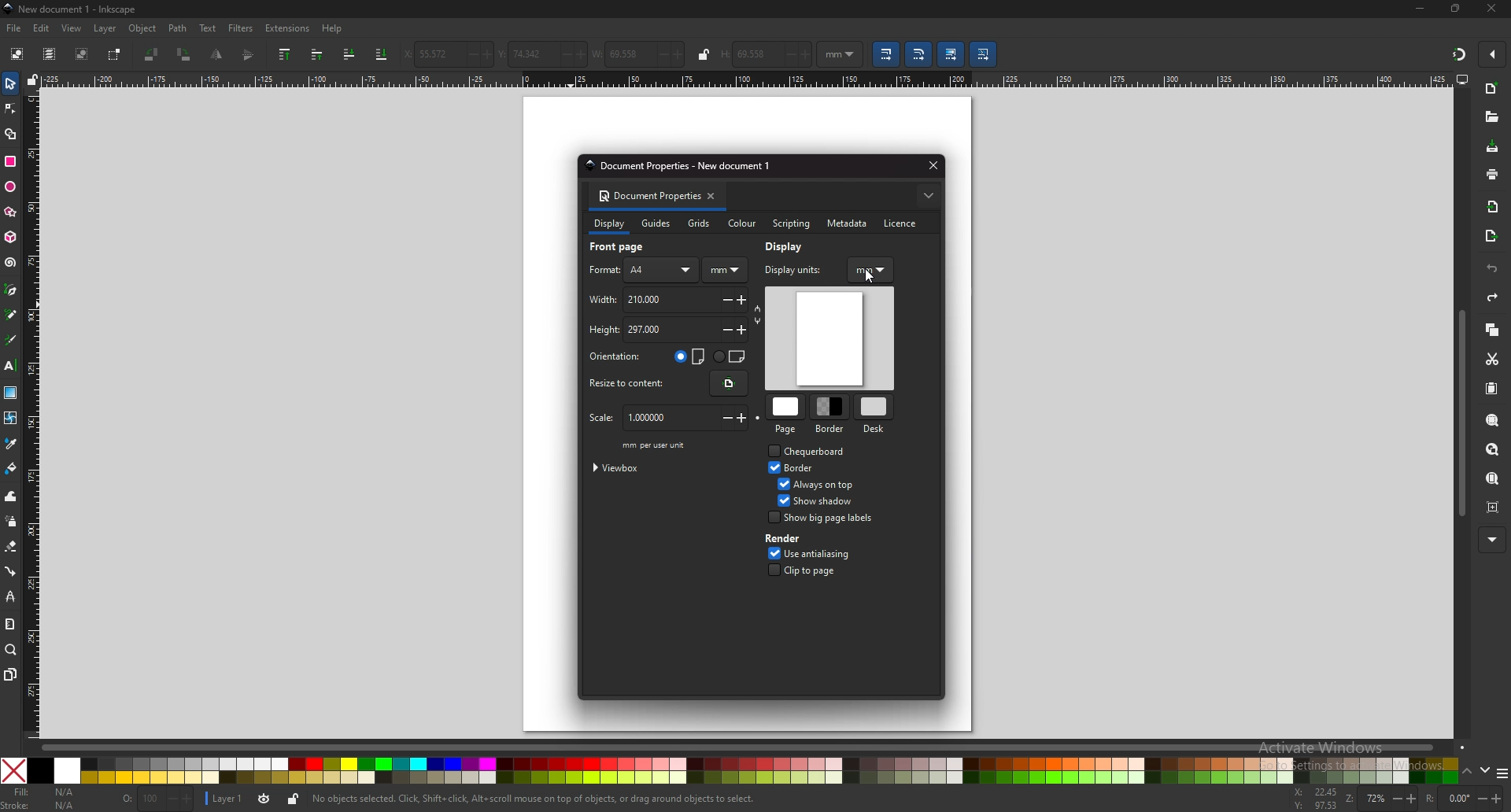  I want to click on +, so click(745, 301).